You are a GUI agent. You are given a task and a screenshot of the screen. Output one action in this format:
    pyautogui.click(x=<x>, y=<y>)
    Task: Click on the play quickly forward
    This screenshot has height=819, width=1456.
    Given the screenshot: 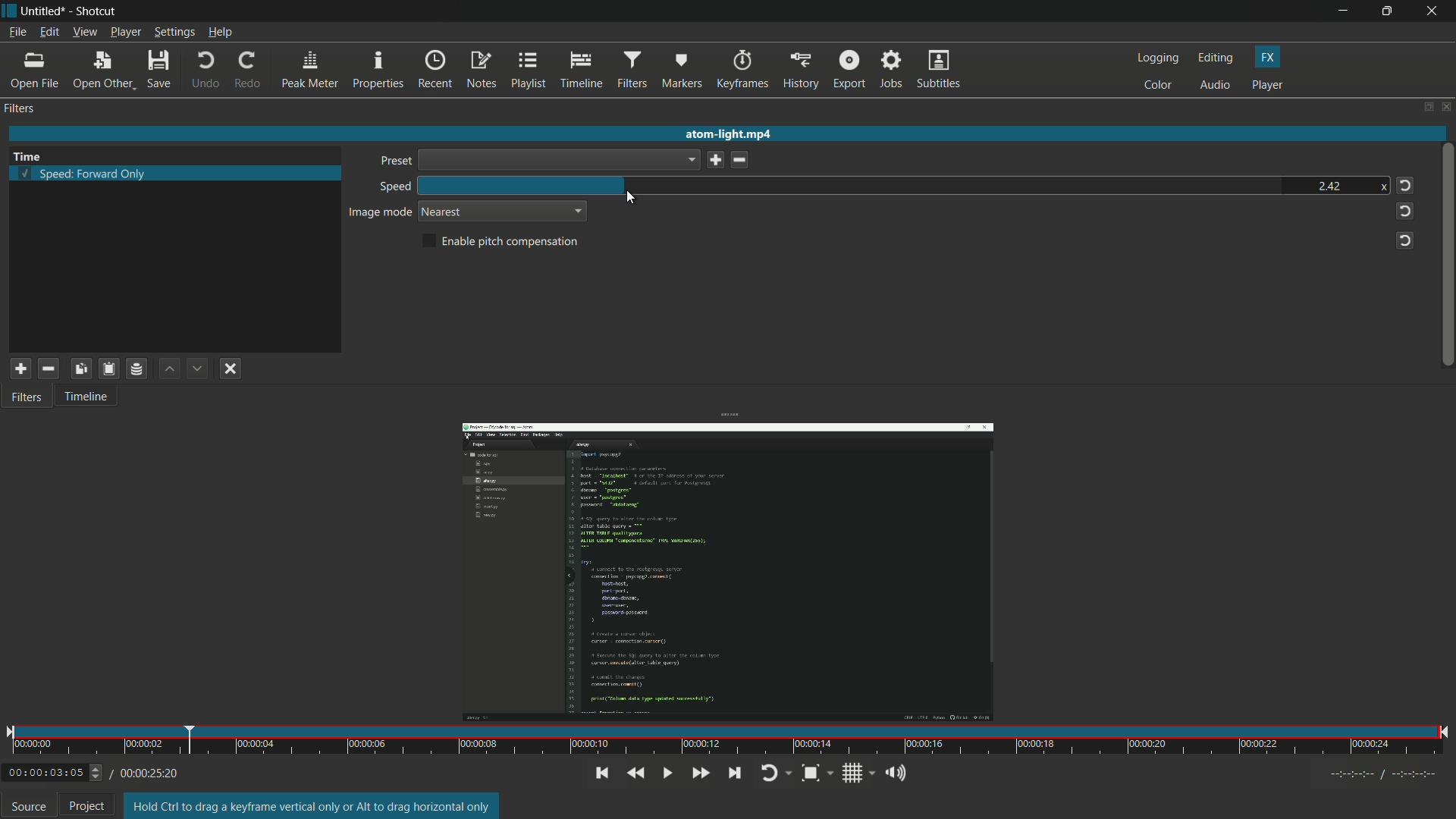 What is the action you would take?
    pyautogui.click(x=702, y=772)
    